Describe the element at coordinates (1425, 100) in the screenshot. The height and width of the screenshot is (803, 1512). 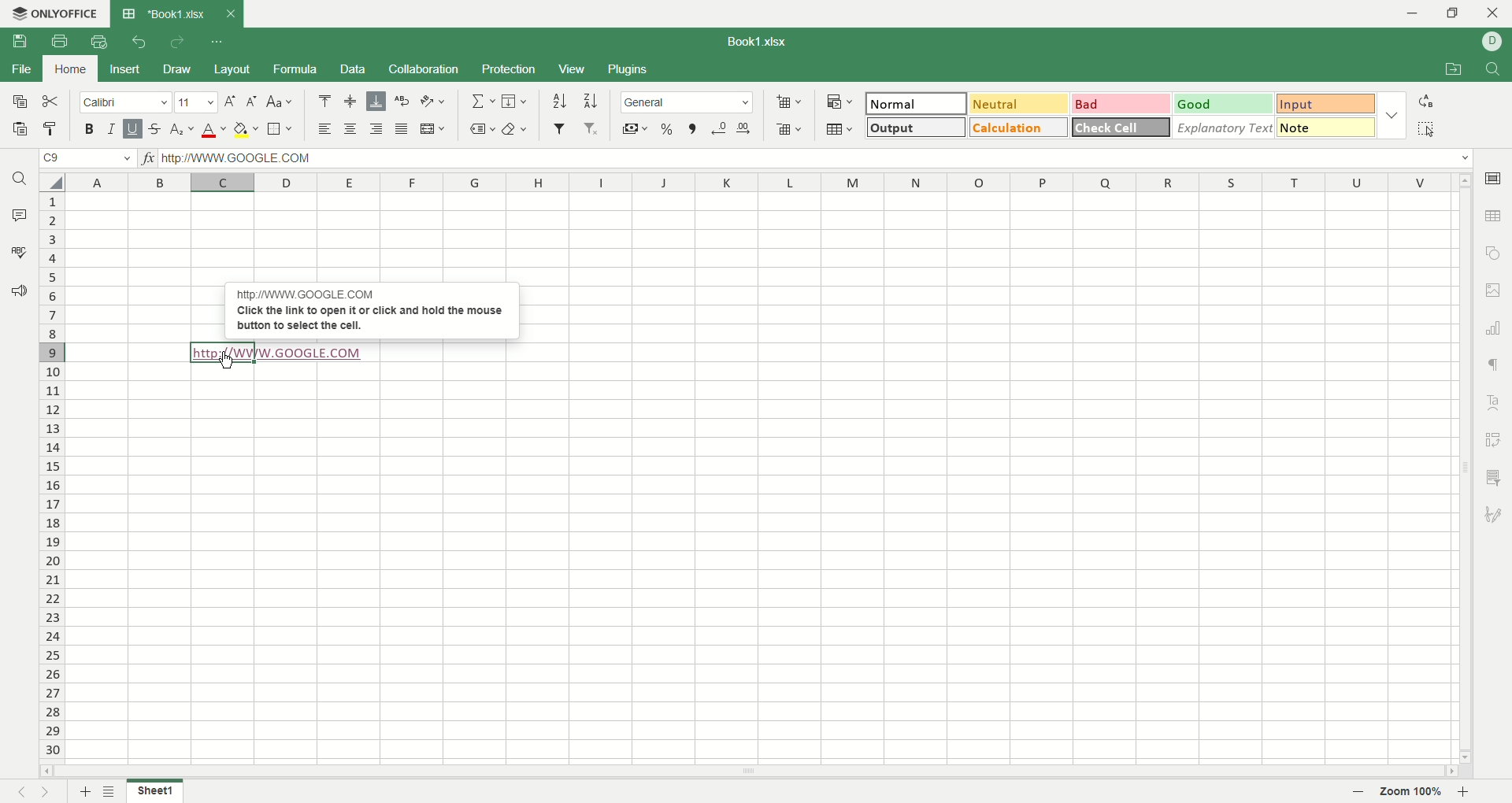
I see `replace` at that location.